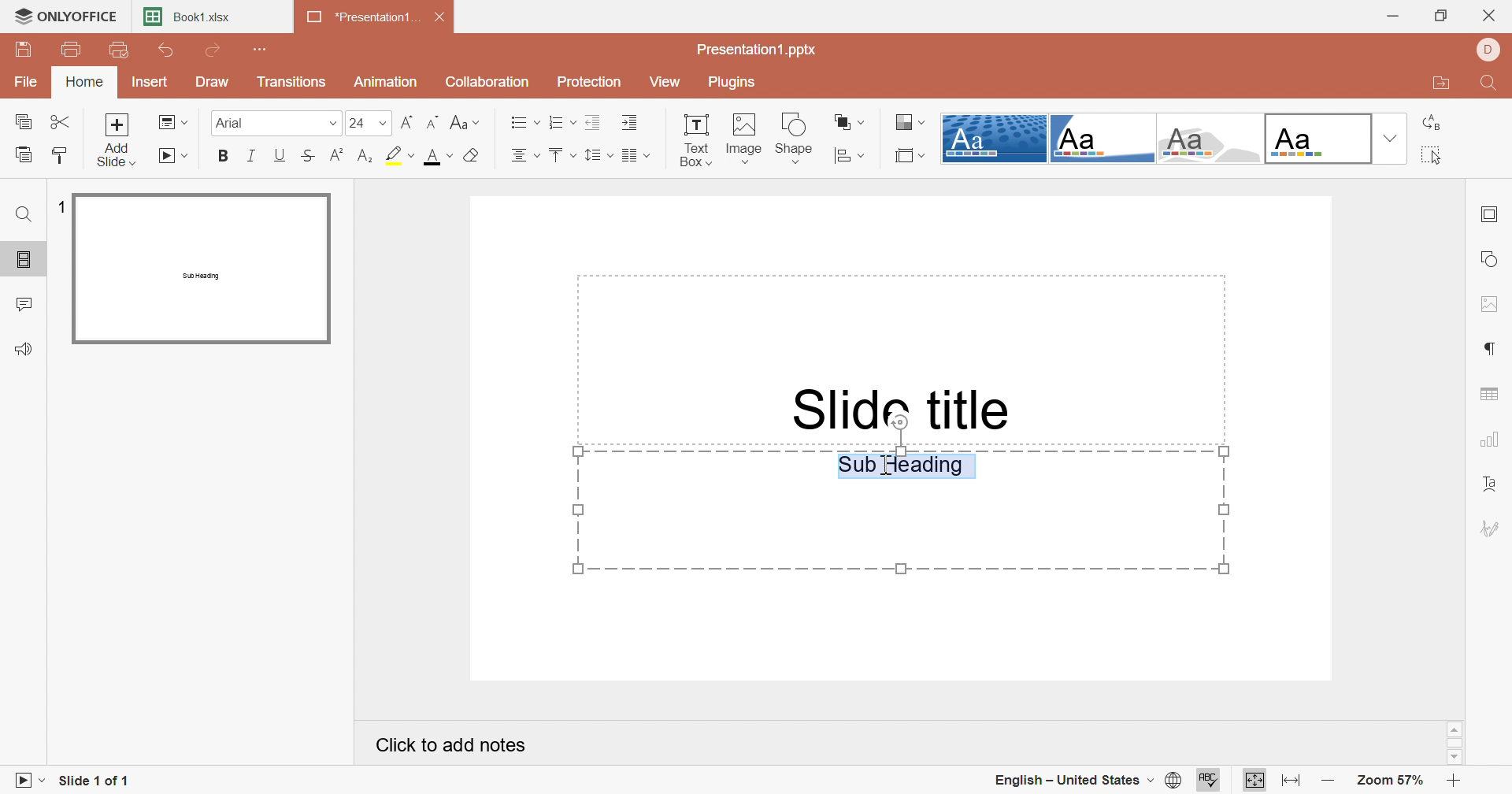  What do you see at coordinates (122, 50) in the screenshot?
I see `Quick print` at bounding box center [122, 50].